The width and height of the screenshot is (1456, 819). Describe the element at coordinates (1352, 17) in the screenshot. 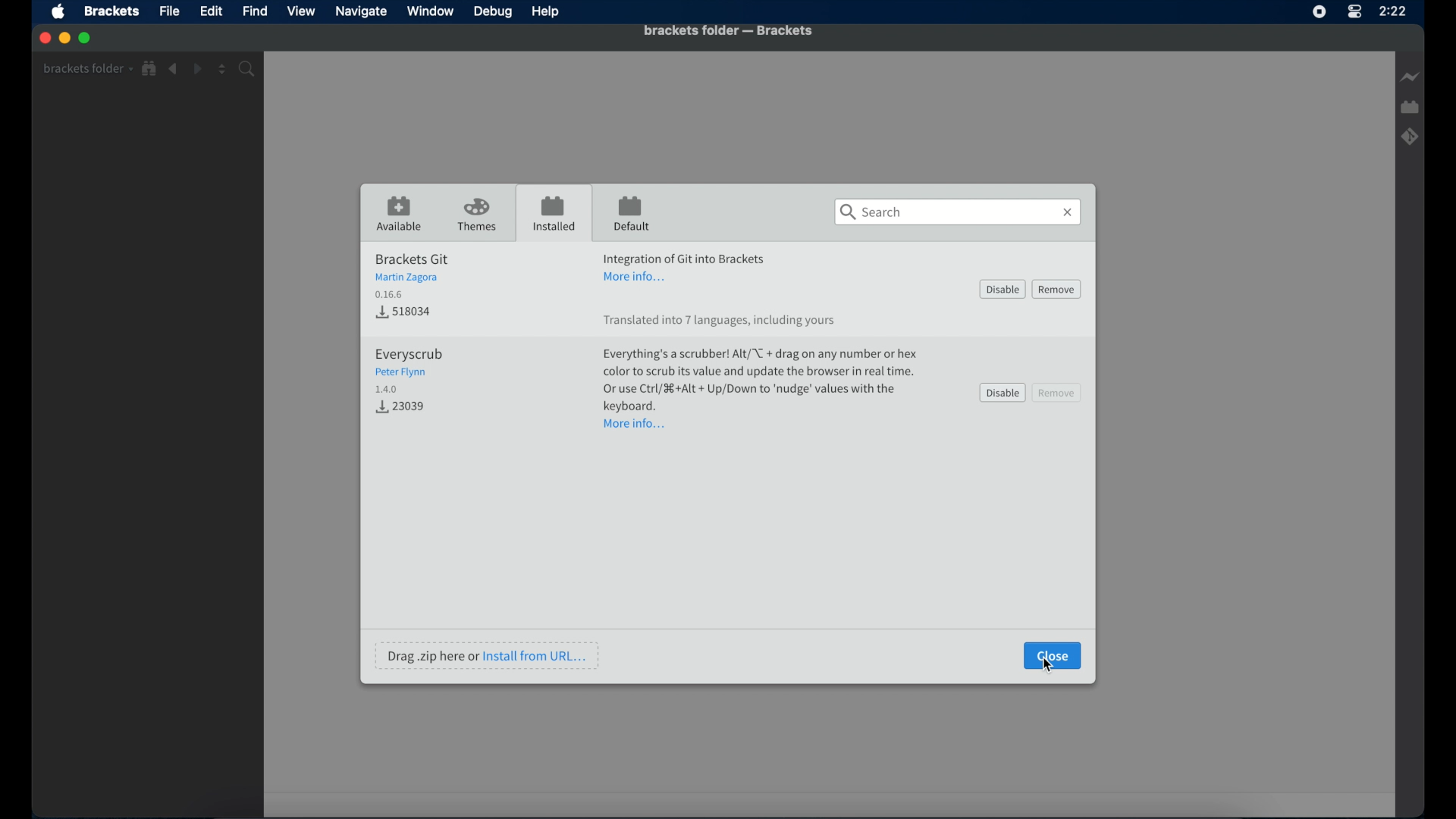

I see `control center` at that location.